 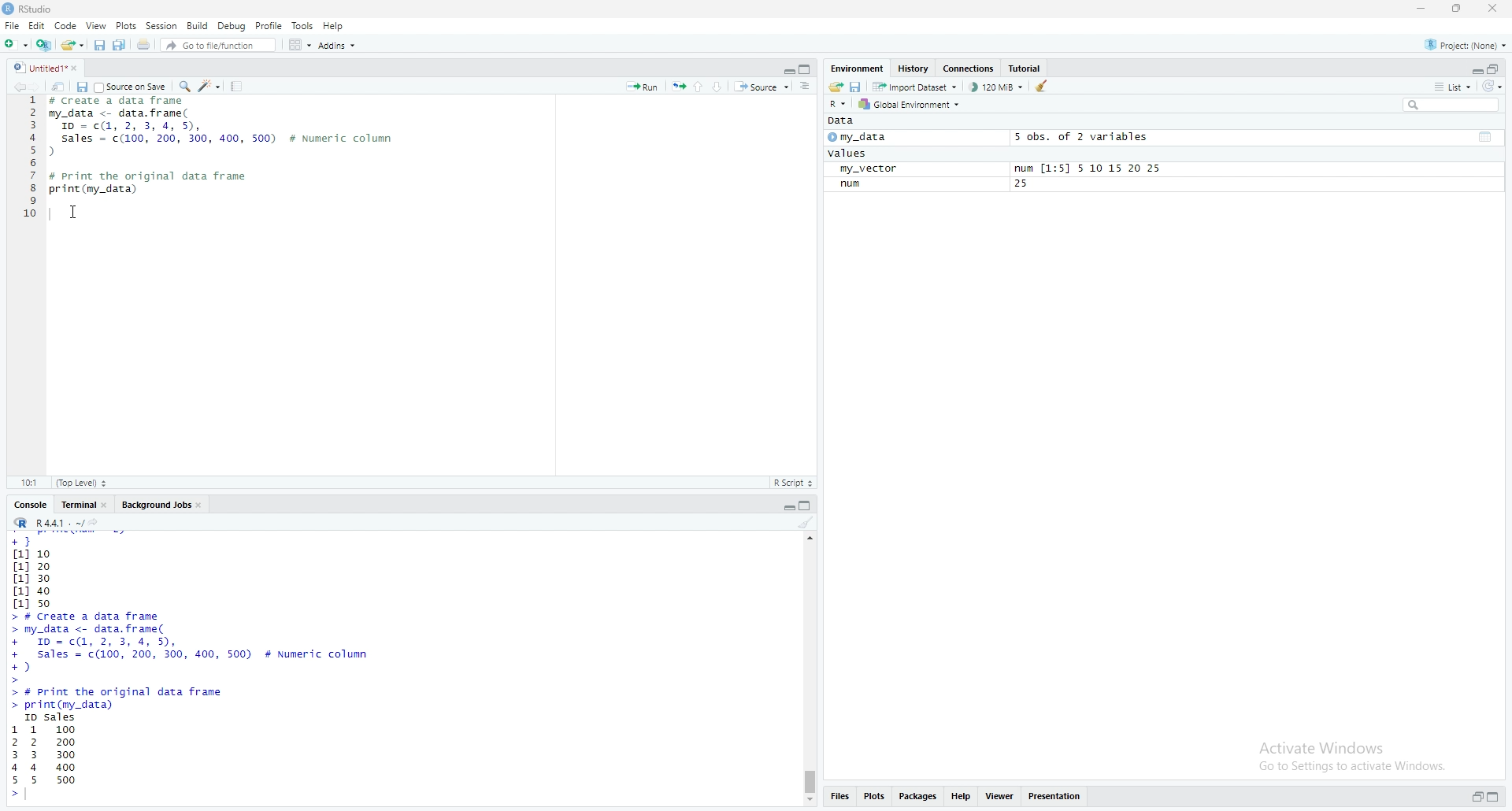 I want to click on edit, so click(x=38, y=25).